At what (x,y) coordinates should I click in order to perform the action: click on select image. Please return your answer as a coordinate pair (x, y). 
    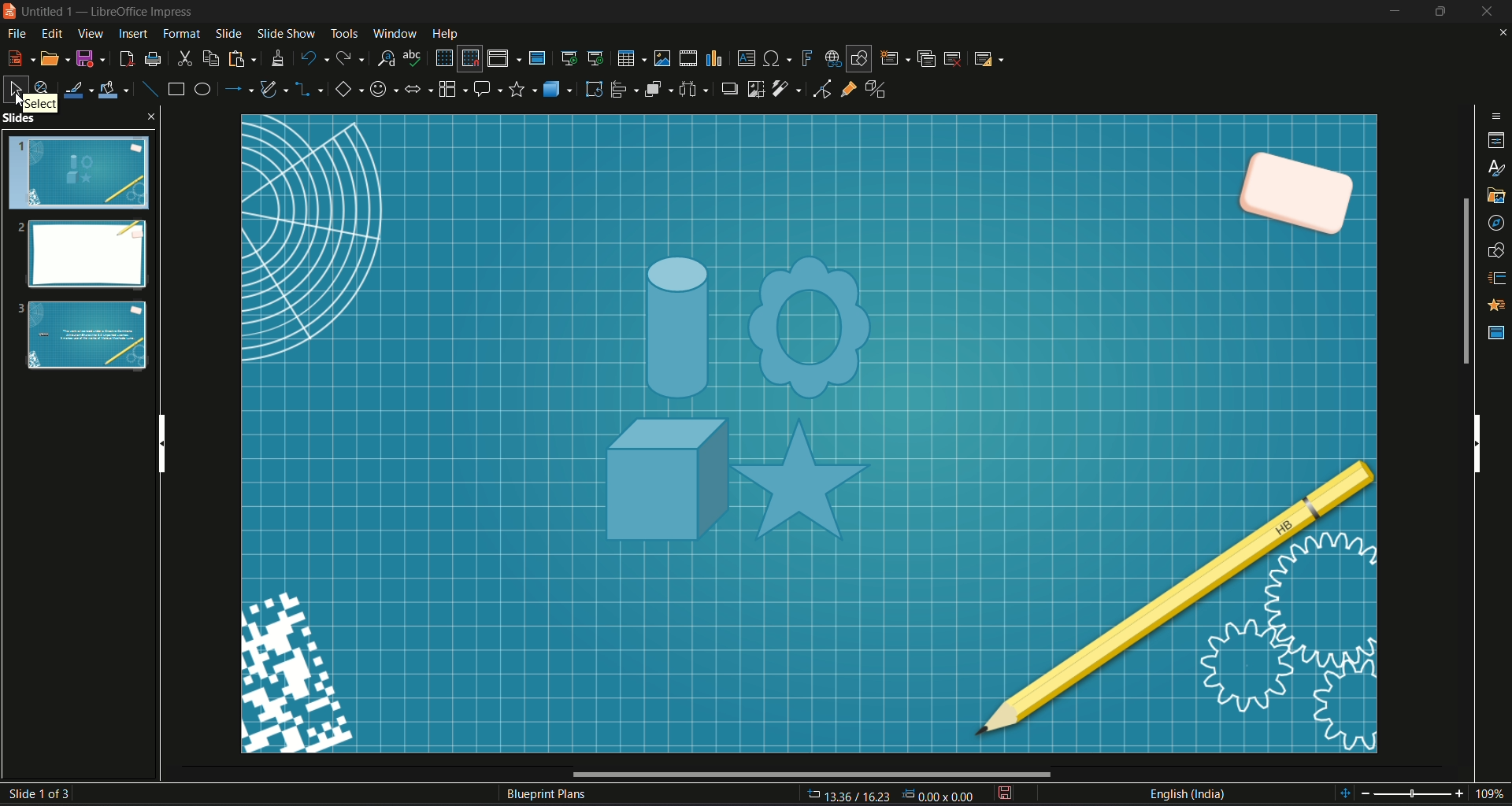
    Looking at the image, I should click on (693, 87).